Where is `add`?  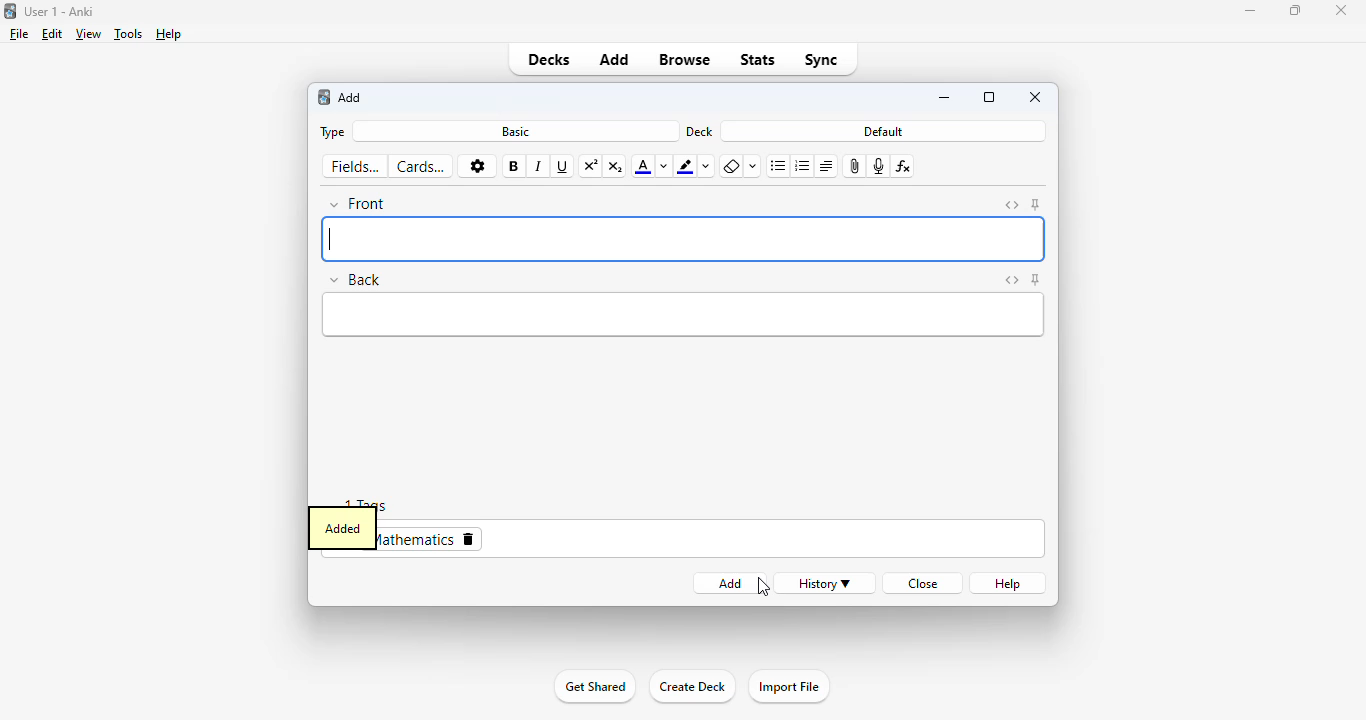 add is located at coordinates (723, 583).